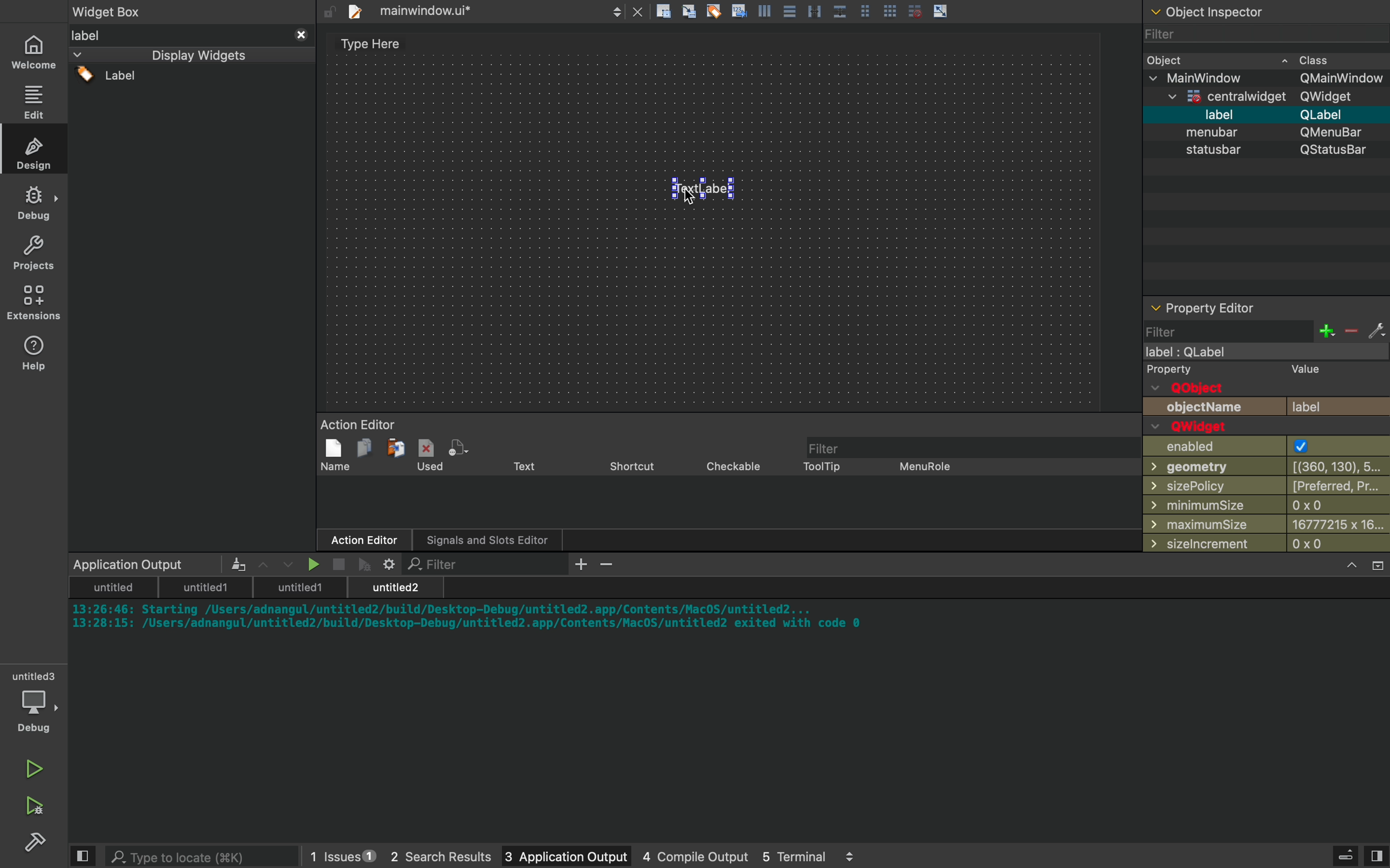 The width and height of the screenshot is (1390, 868). Describe the element at coordinates (1268, 171) in the screenshot. I see `widget class` at that location.